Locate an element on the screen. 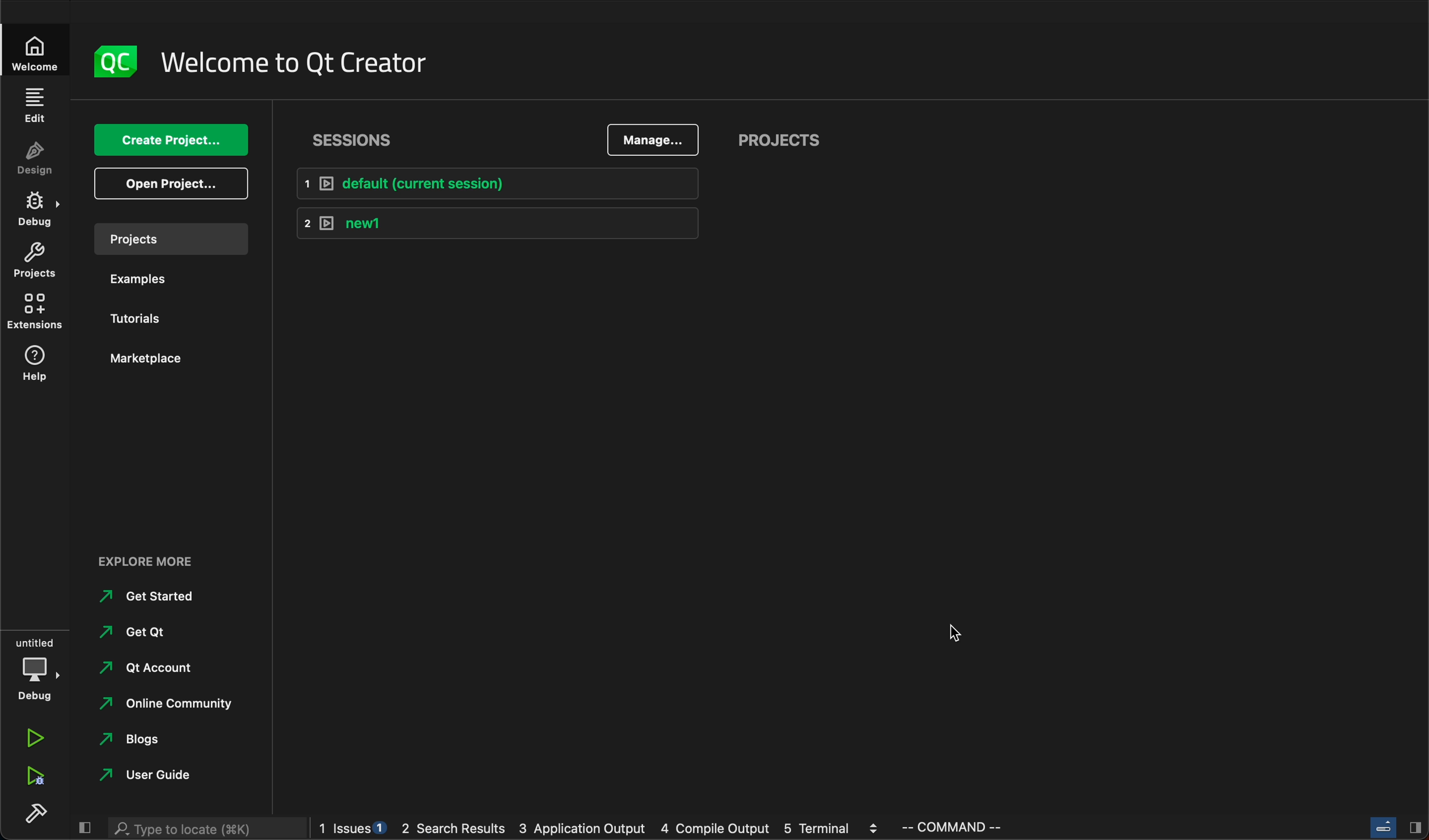 This screenshot has height=840, width=1429. blogs is located at coordinates (147, 742).